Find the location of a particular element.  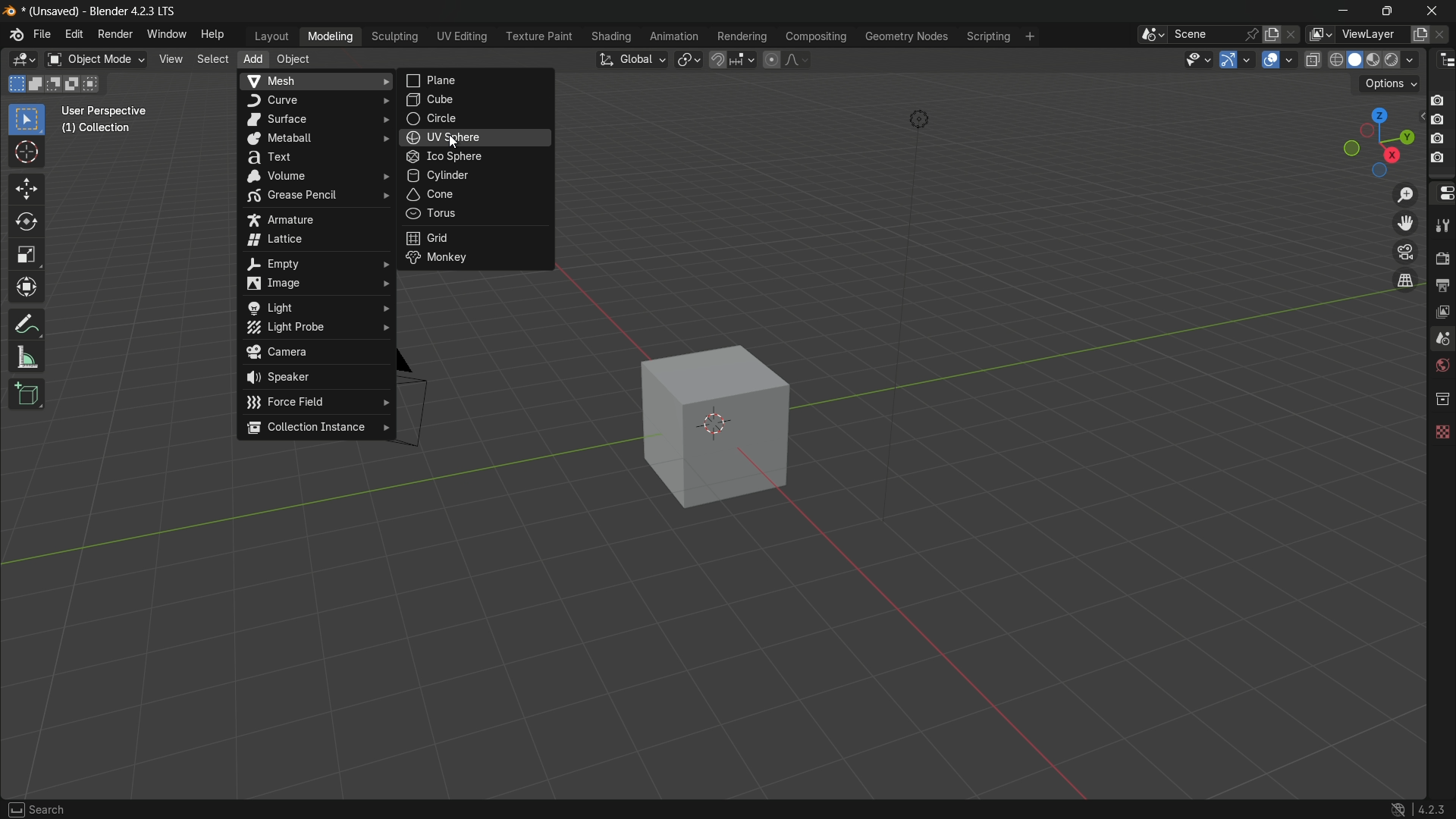

switch the current view is located at coordinates (1404, 280).